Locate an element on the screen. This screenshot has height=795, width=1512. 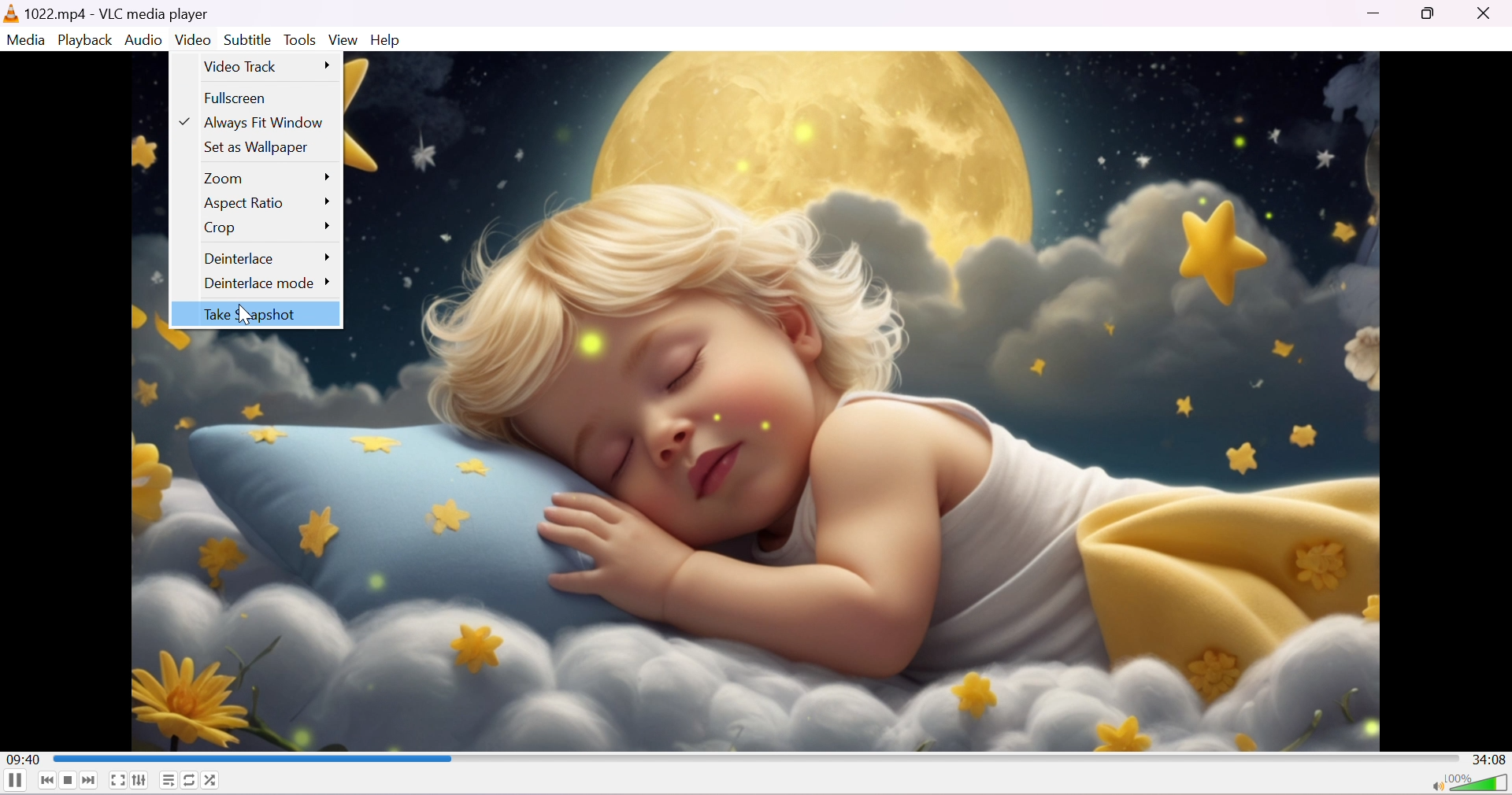
Arrow is located at coordinates (185, 121).